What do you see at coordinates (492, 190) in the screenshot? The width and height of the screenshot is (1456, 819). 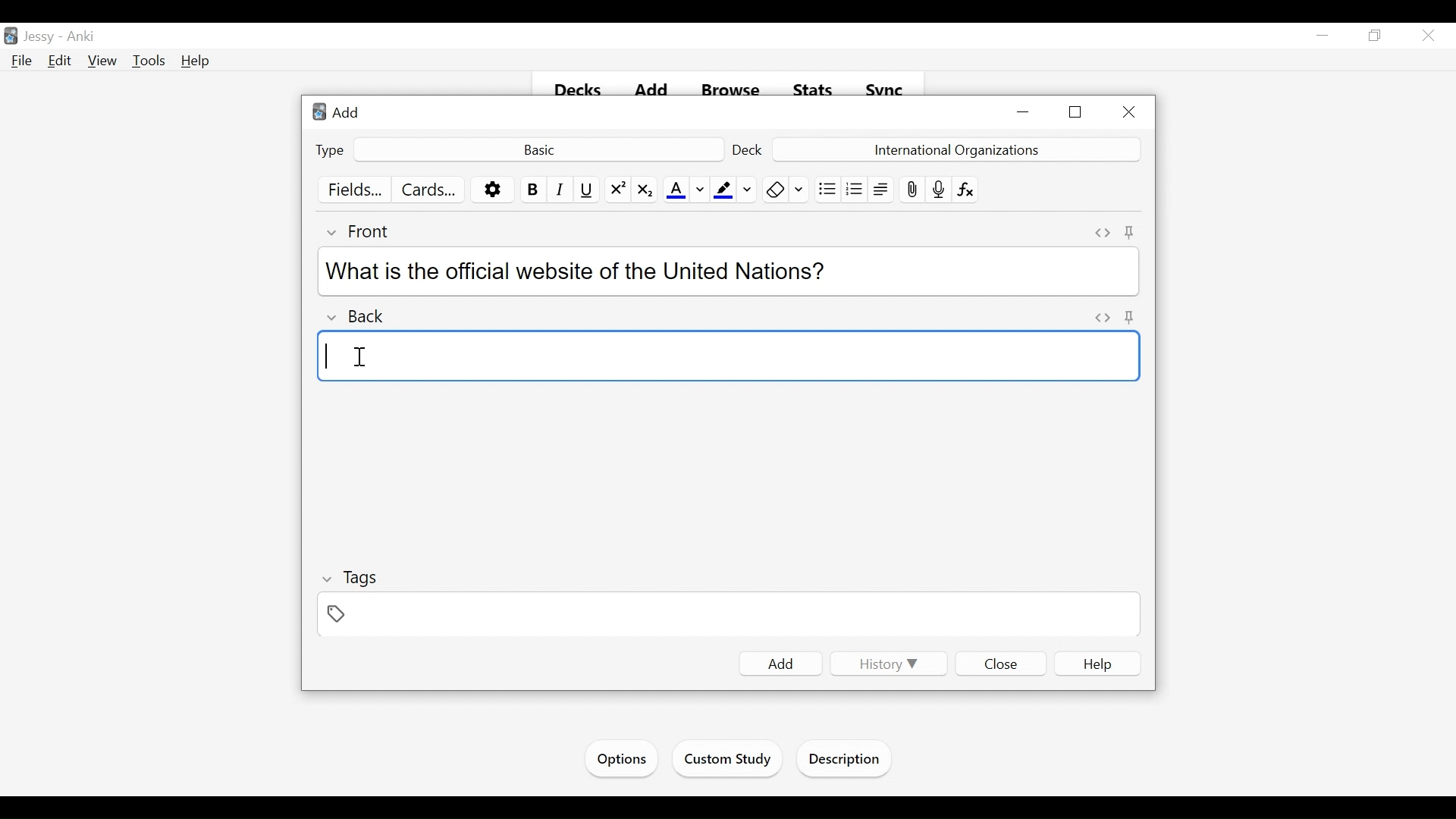 I see `More options` at bounding box center [492, 190].